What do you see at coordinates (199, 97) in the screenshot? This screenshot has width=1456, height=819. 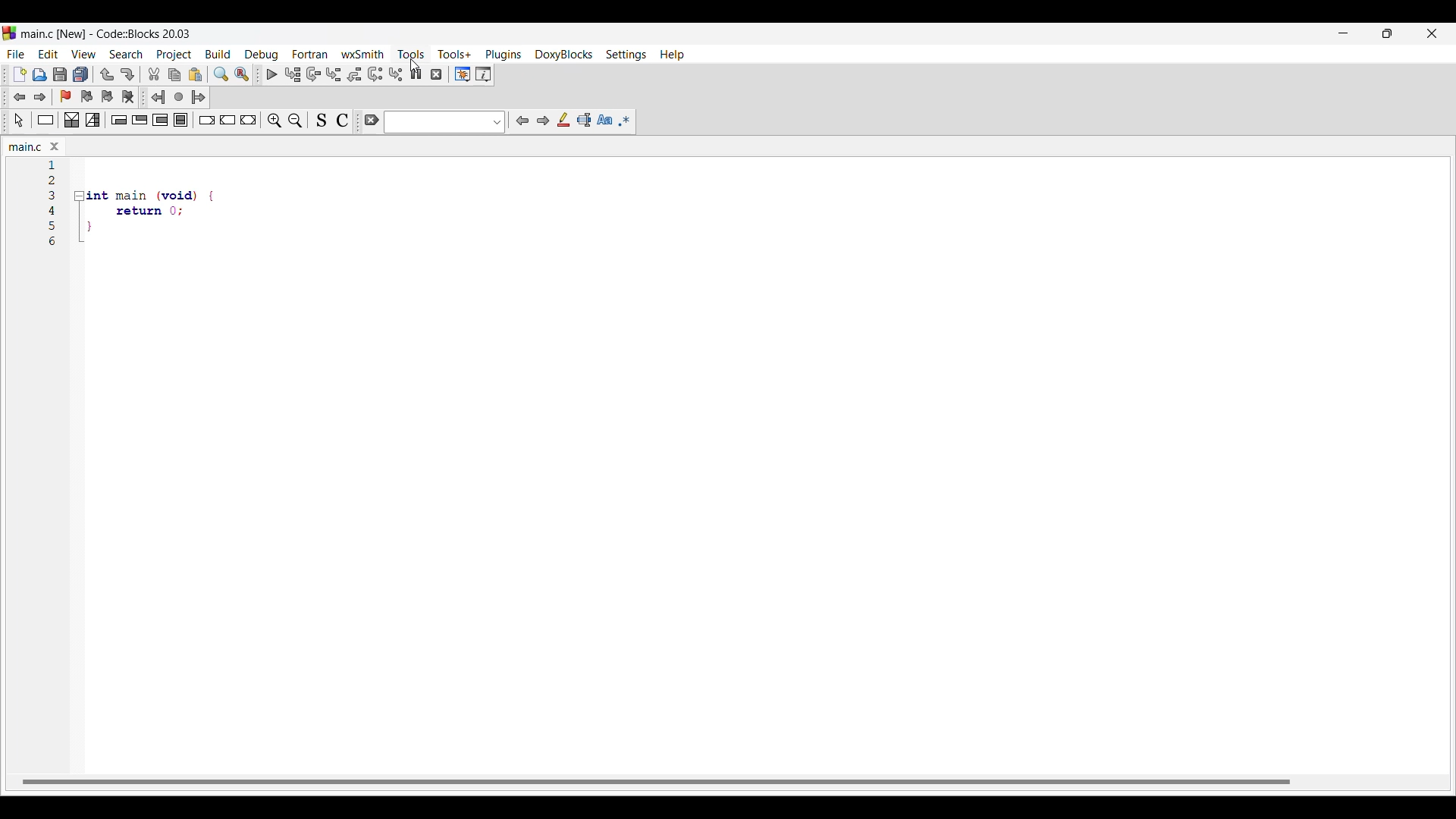 I see `Jump forward` at bounding box center [199, 97].